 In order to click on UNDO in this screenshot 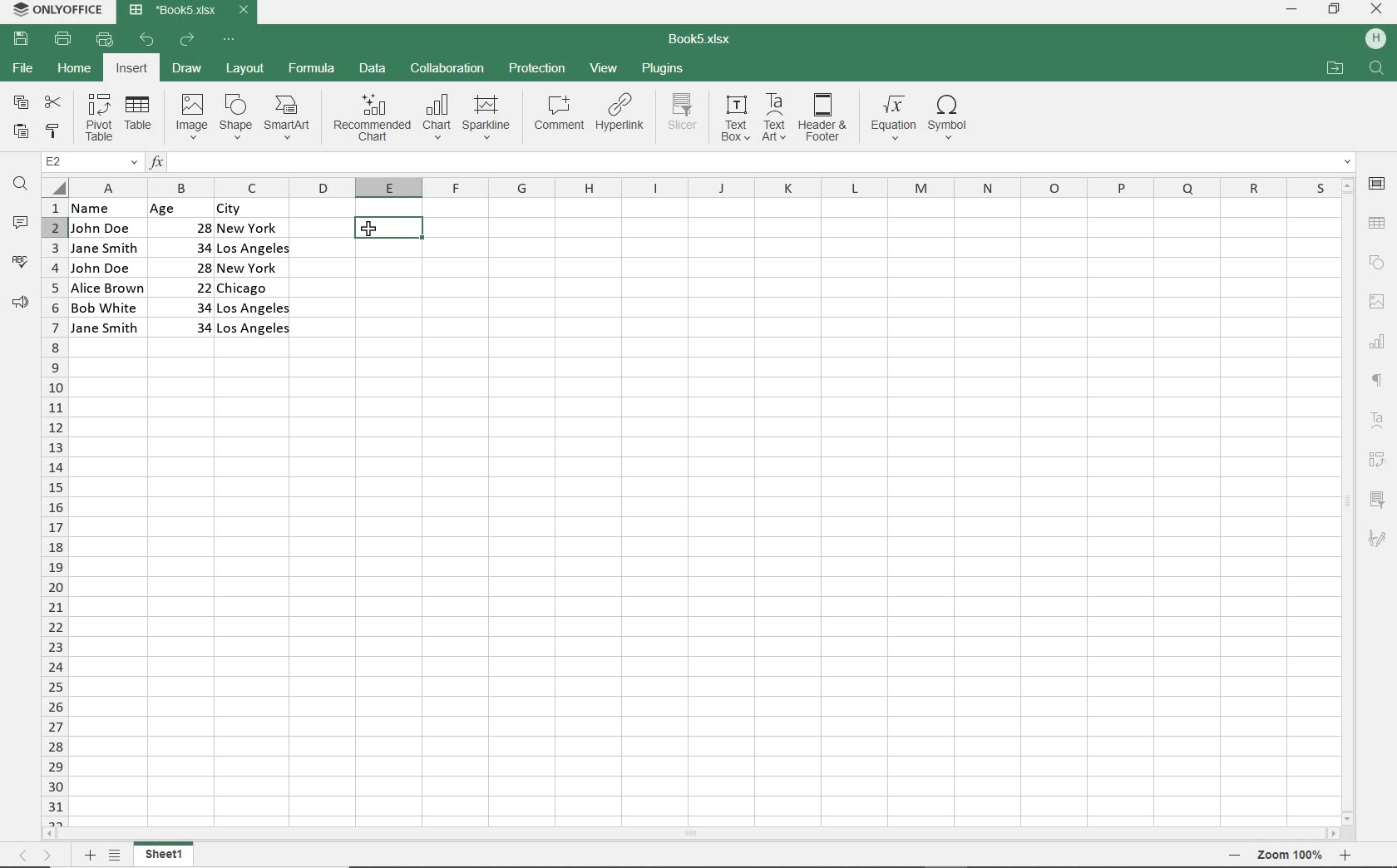, I will do `click(147, 40)`.